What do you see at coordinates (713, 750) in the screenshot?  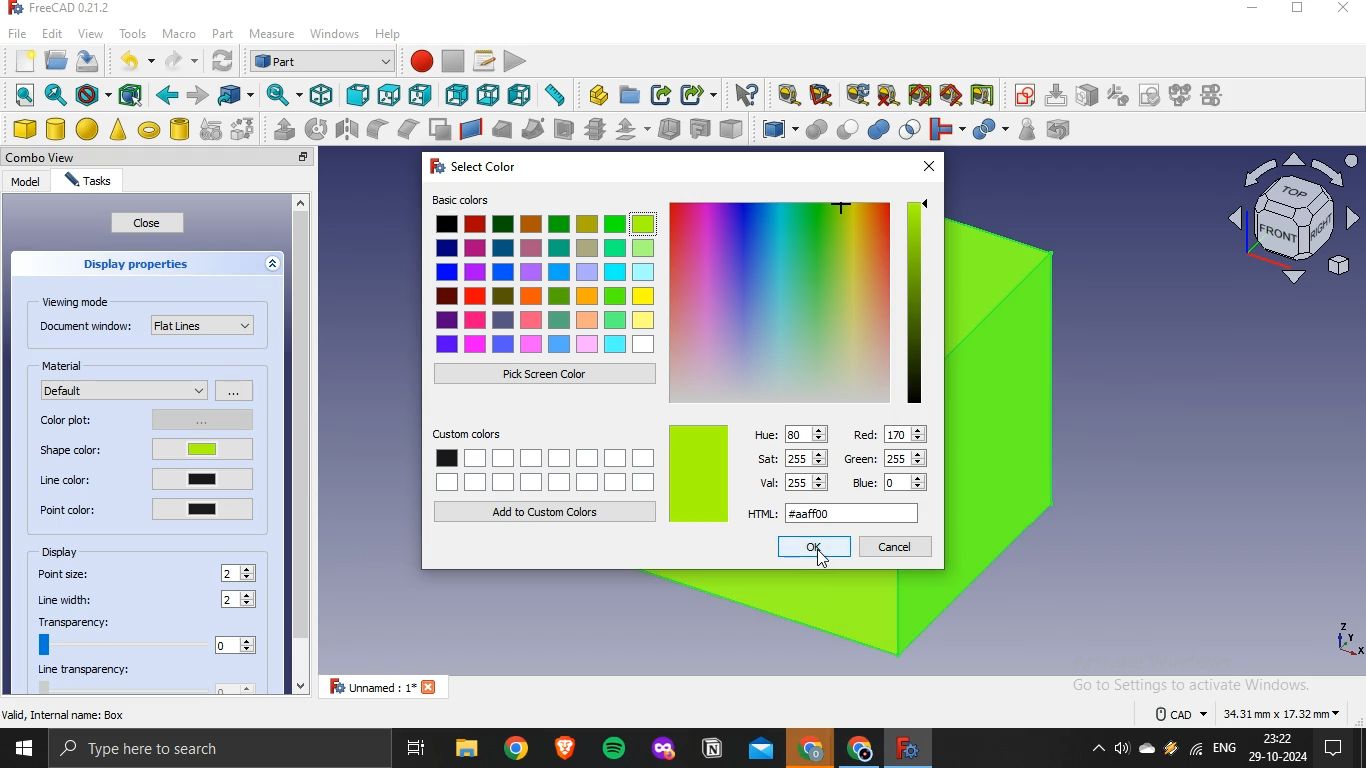 I see `notion` at bounding box center [713, 750].